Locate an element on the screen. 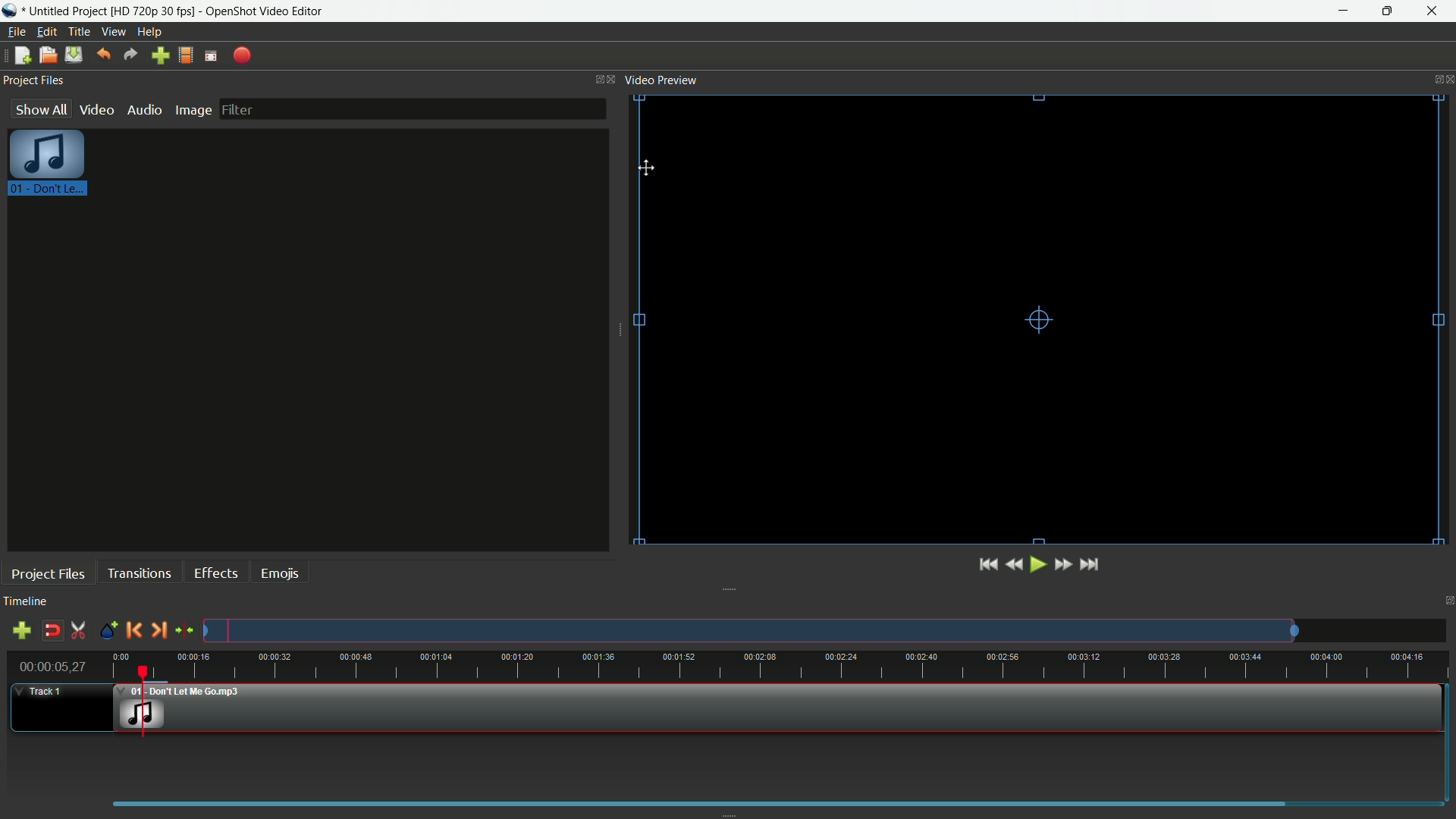 This screenshot has width=1456, height=819. app name is located at coordinates (265, 11).